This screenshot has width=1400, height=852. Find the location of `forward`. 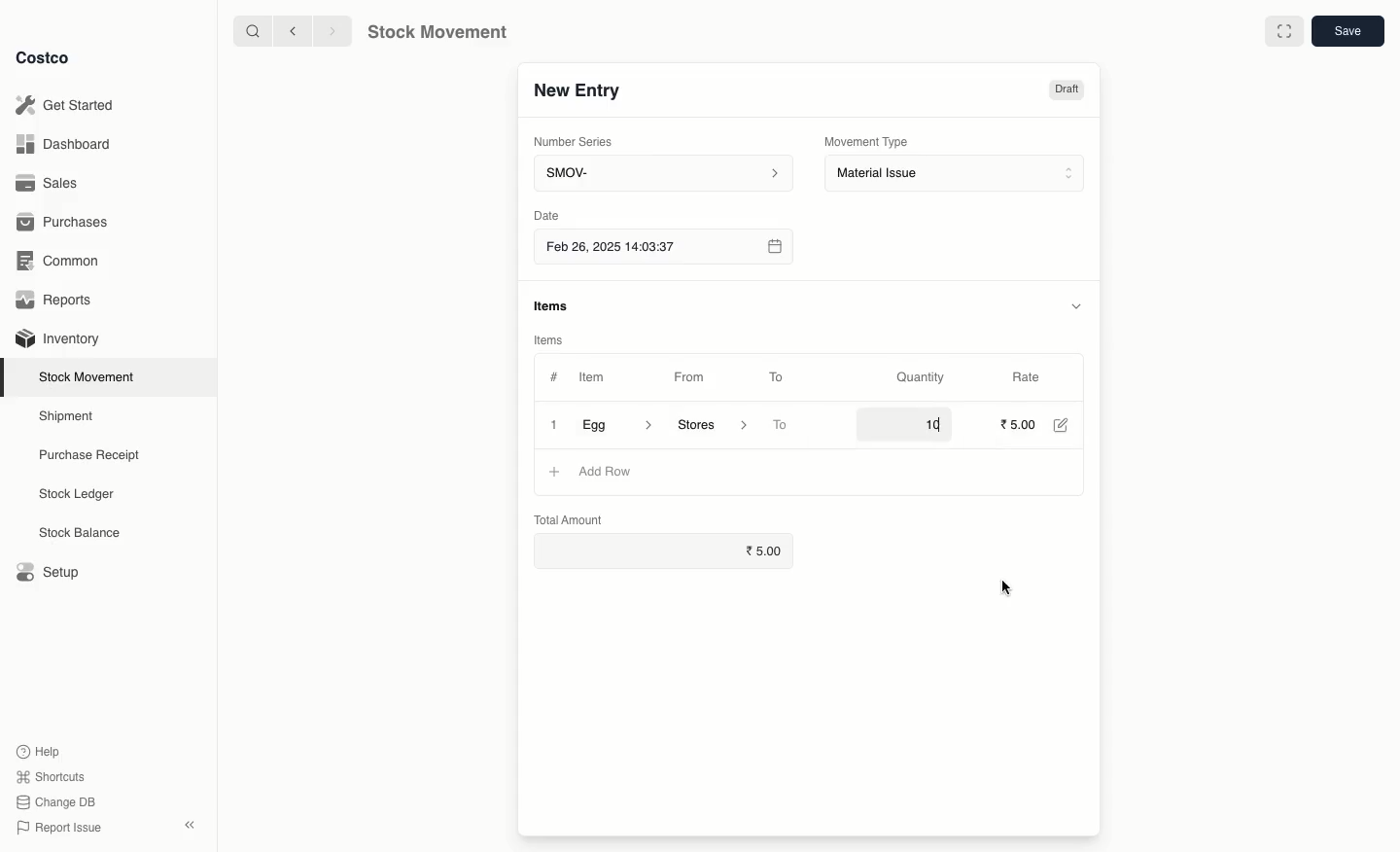

forward is located at coordinates (328, 30).